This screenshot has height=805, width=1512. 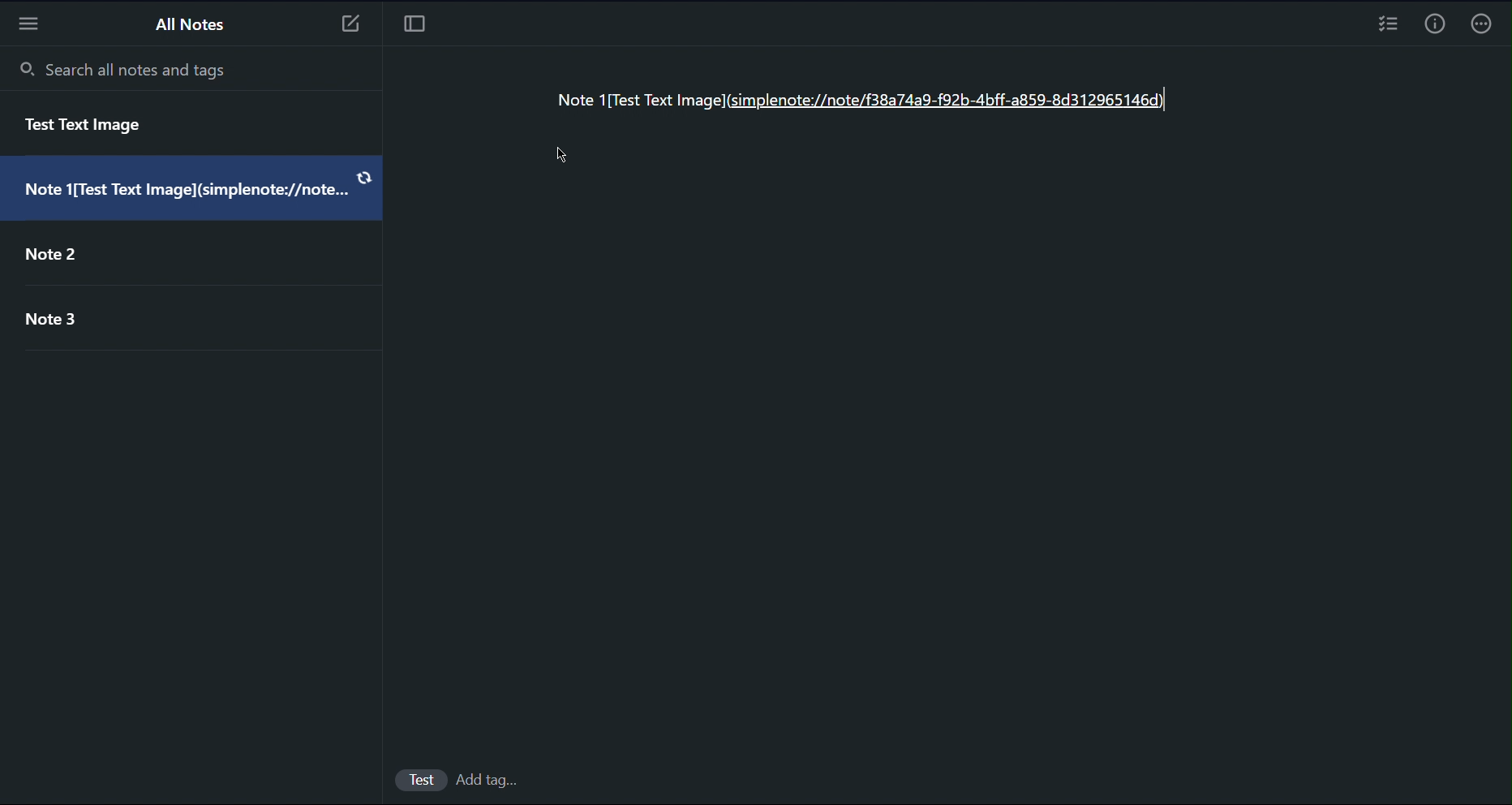 What do you see at coordinates (195, 194) in the screenshot?
I see `3Note 1[Test Text Image](simplenote://note... ` at bounding box center [195, 194].